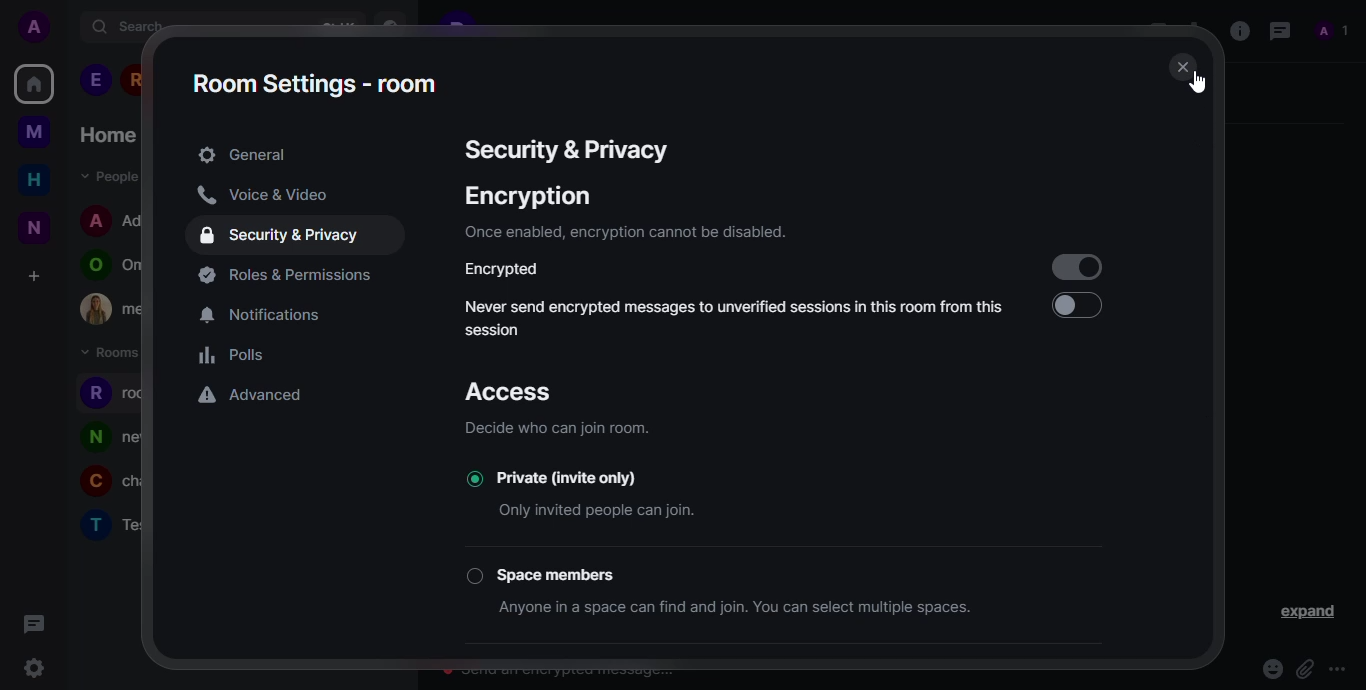  What do you see at coordinates (249, 154) in the screenshot?
I see `General` at bounding box center [249, 154].